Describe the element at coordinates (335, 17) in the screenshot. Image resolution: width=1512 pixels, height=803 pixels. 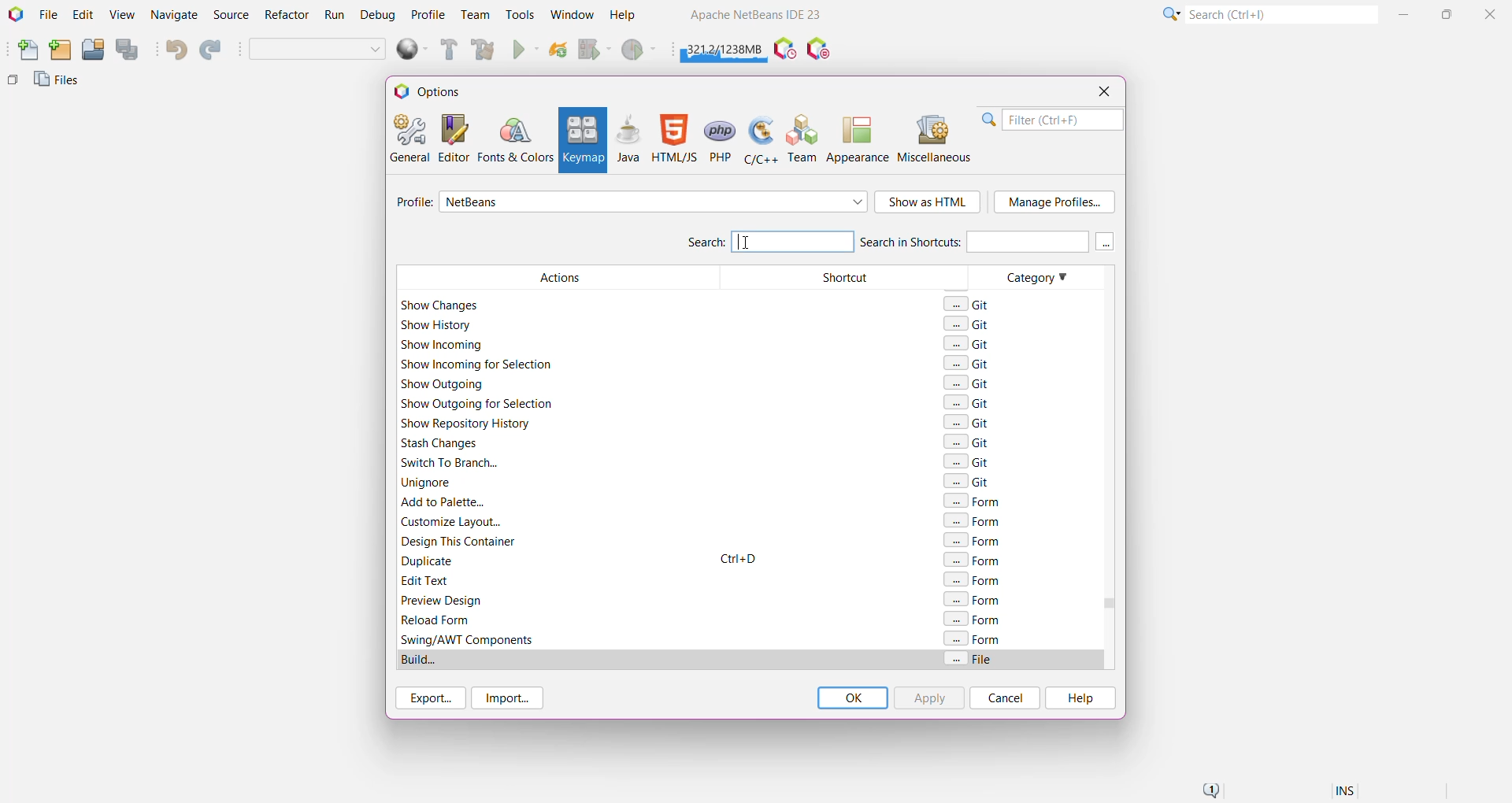
I see `Run` at that location.